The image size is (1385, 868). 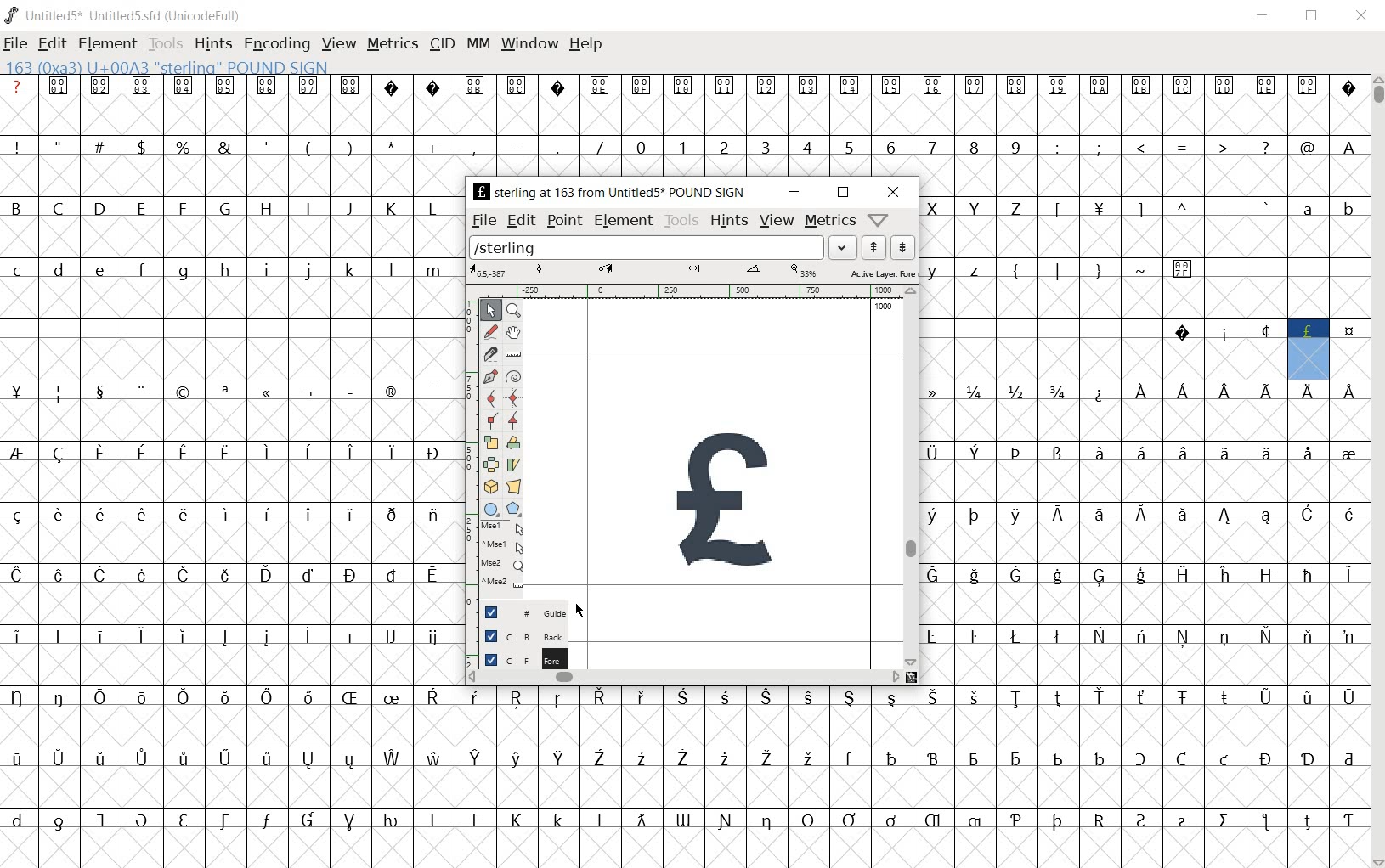 What do you see at coordinates (516, 421) in the screenshot?
I see `tangent` at bounding box center [516, 421].